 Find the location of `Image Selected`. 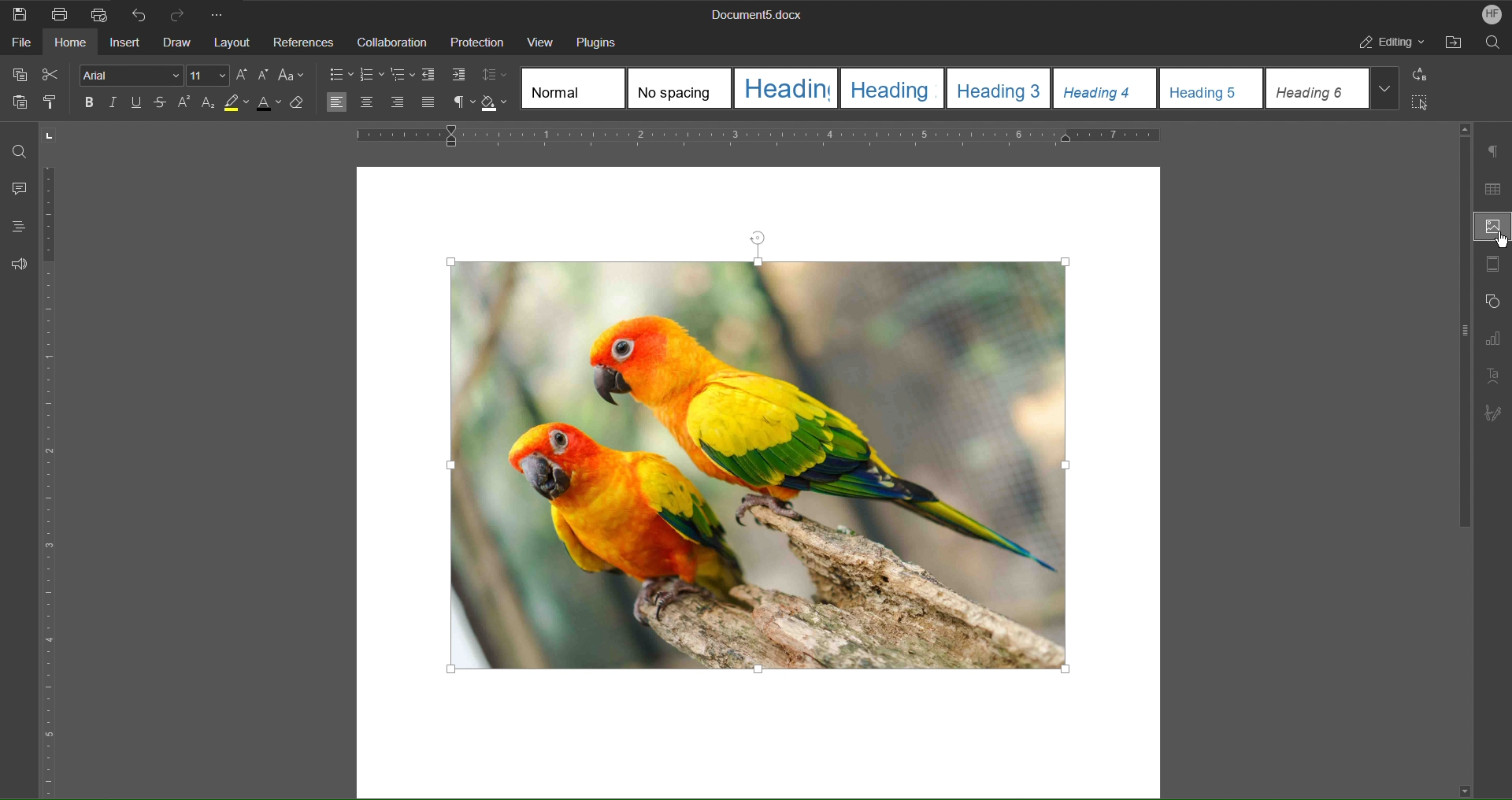

Image Selected is located at coordinates (763, 457).